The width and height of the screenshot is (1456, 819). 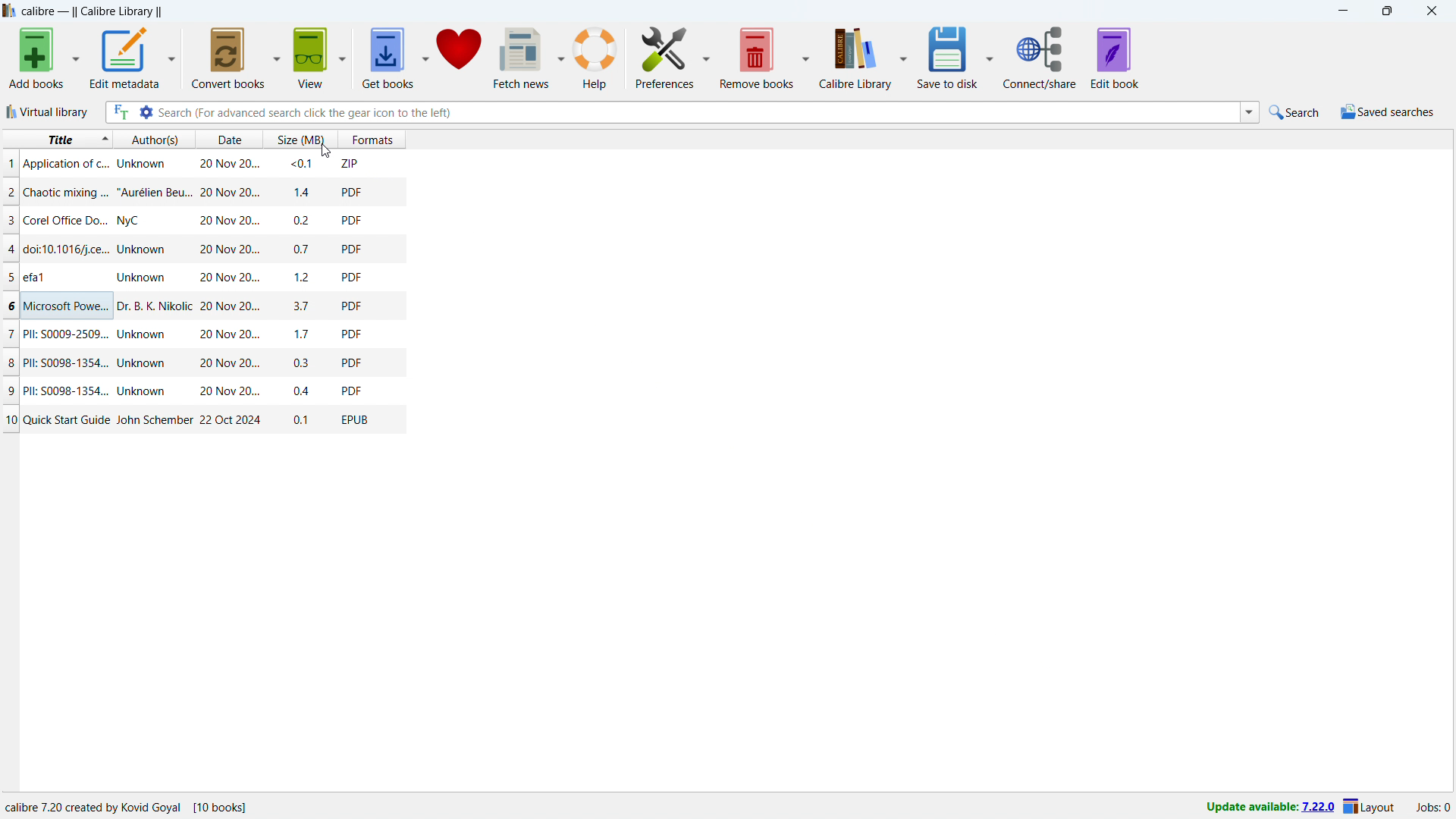 What do you see at coordinates (9, 278) in the screenshot?
I see `5` at bounding box center [9, 278].